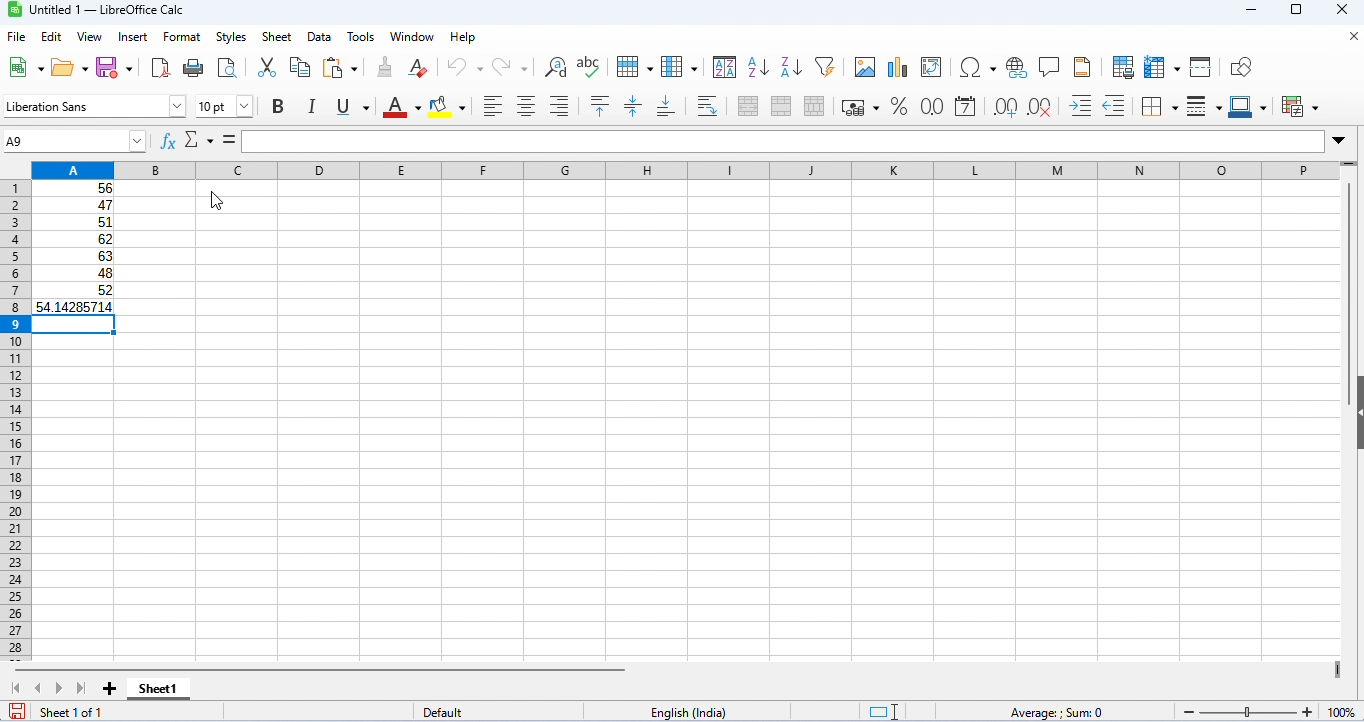 The height and width of the screenshot is (722, 1364). What do you see at coordinates (192, 67) in the screenshot?
I see `print` at bounding box center [192, 67].